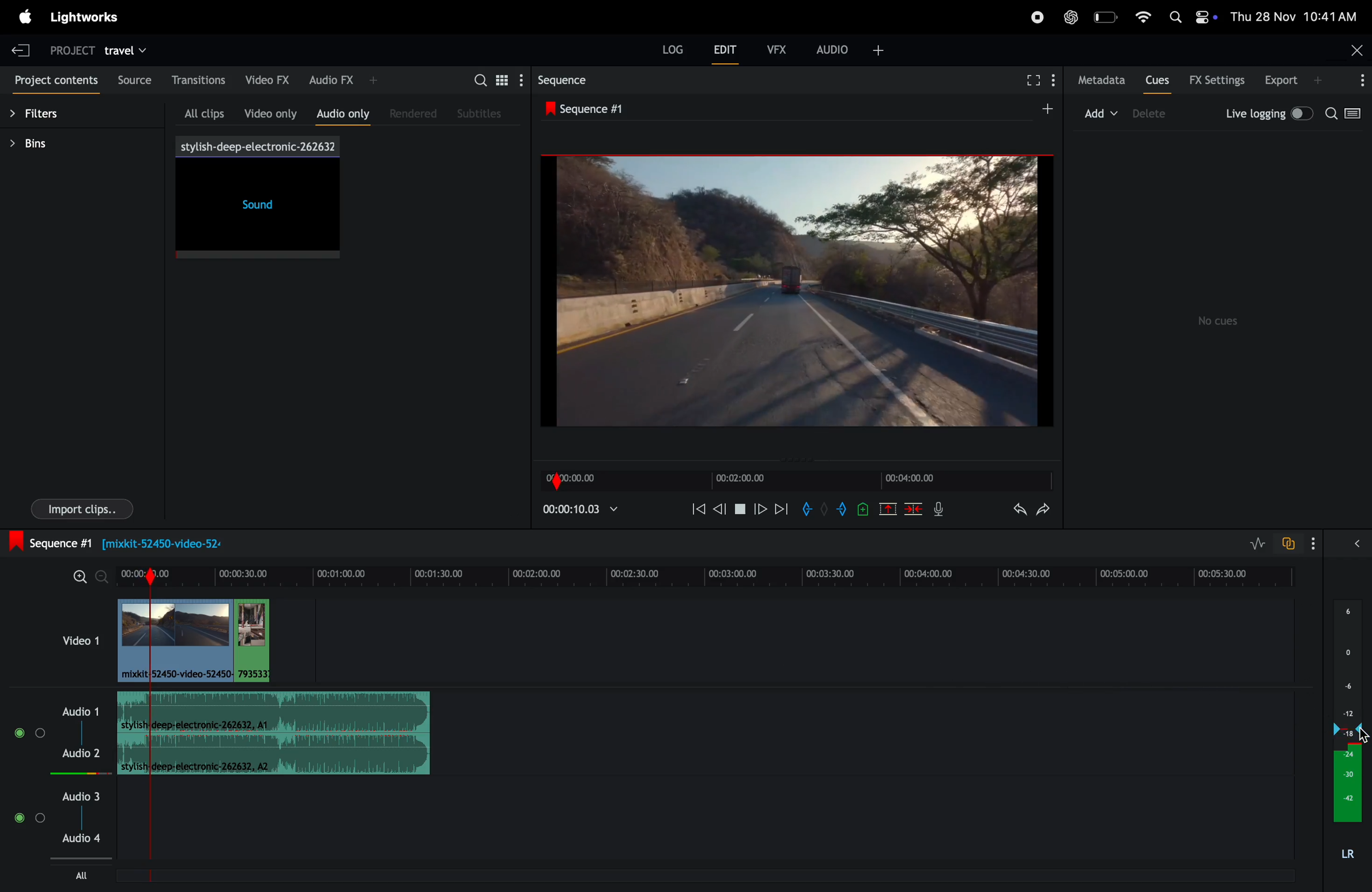  I want to click on toggle between log viewer, so click(1355, 114).